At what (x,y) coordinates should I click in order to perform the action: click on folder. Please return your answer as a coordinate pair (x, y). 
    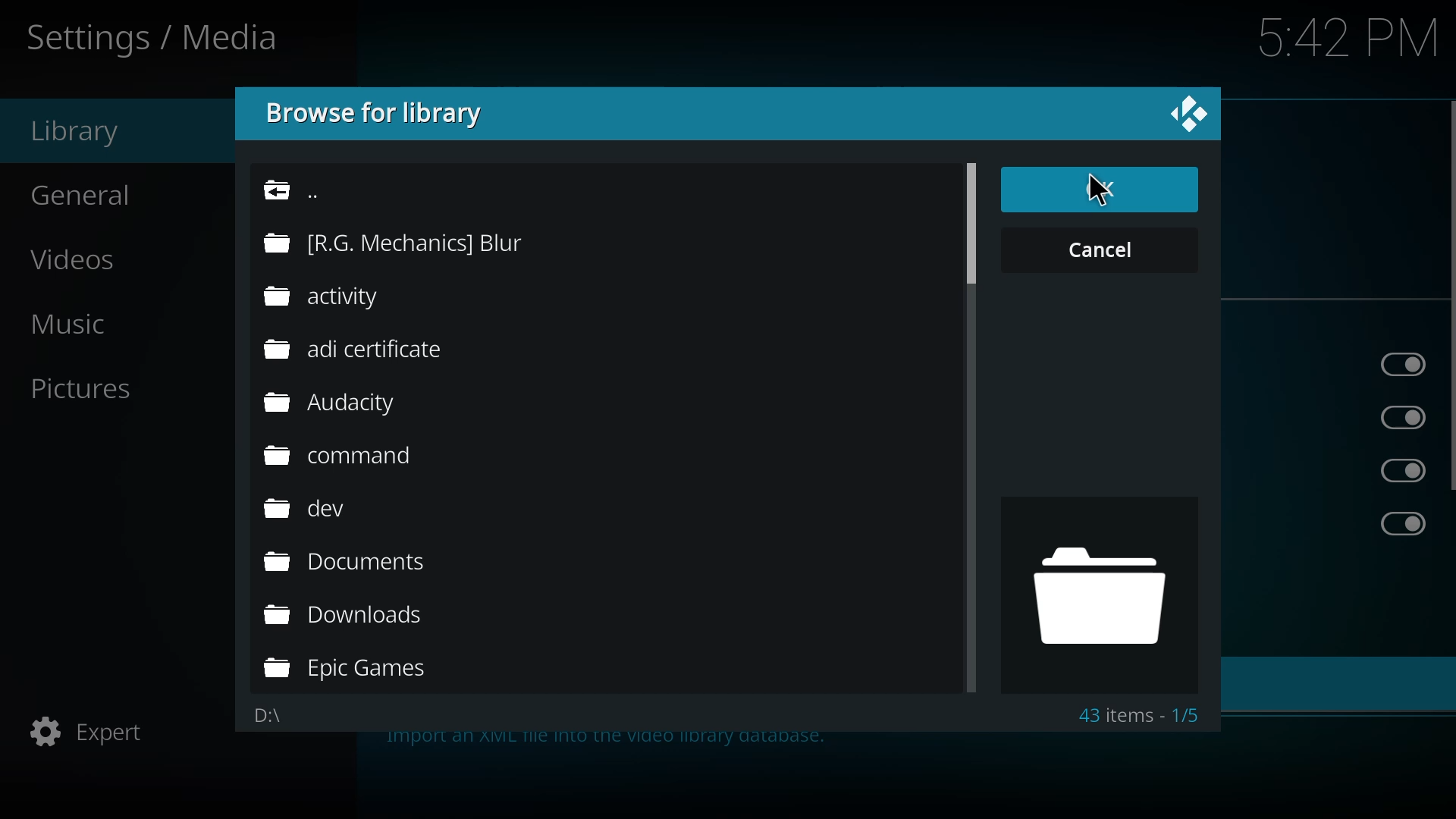
    Looking at the image, I should click on (312, 508).